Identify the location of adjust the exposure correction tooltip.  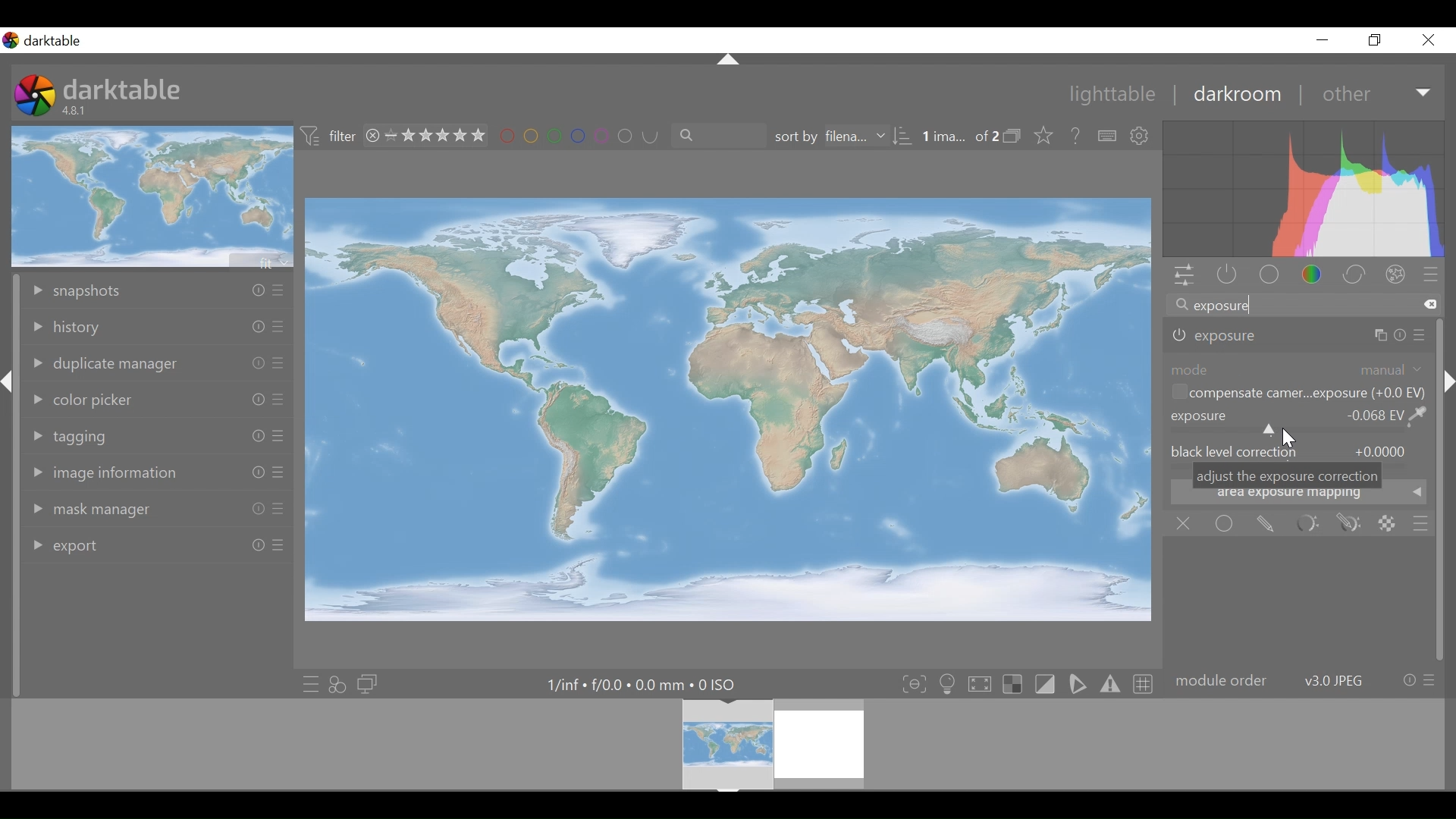
(1286, 475).